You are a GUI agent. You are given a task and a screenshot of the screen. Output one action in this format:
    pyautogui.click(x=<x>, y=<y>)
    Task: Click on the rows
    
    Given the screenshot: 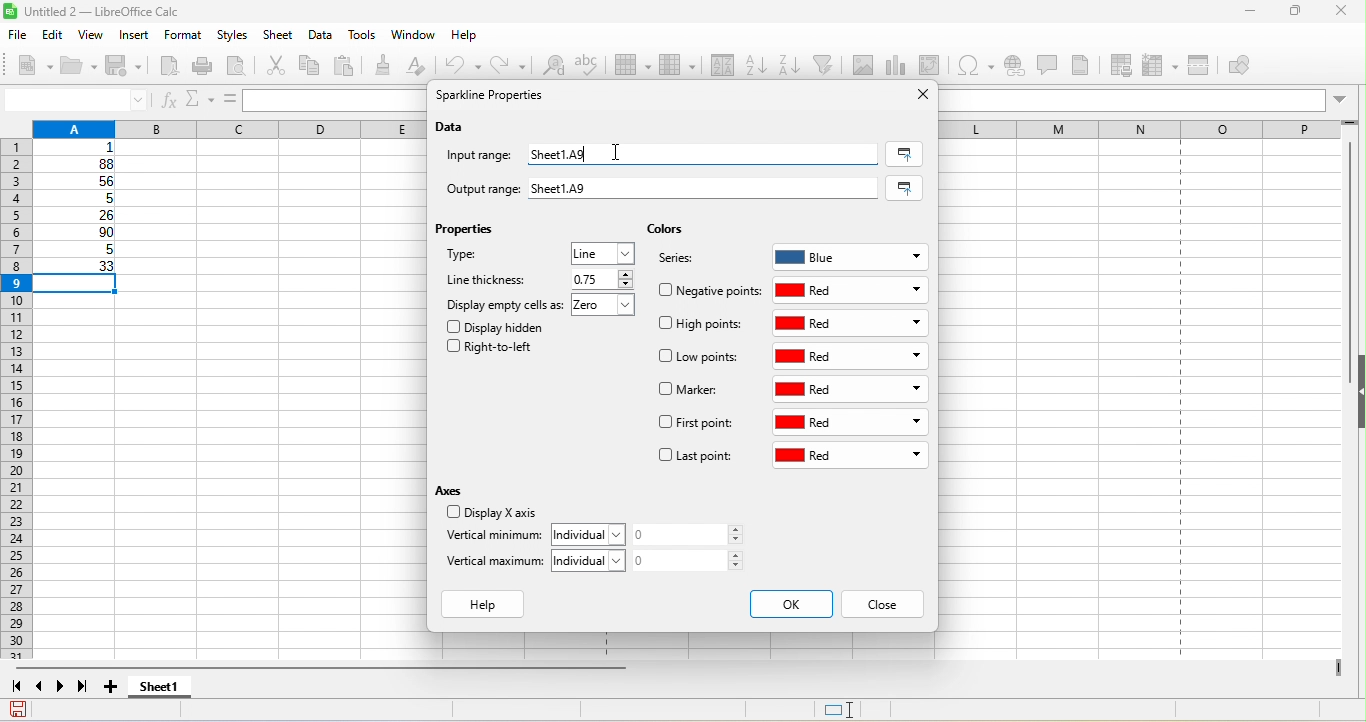 What is the action you would take?
    pyautogui.click(x=15, y=401)
    